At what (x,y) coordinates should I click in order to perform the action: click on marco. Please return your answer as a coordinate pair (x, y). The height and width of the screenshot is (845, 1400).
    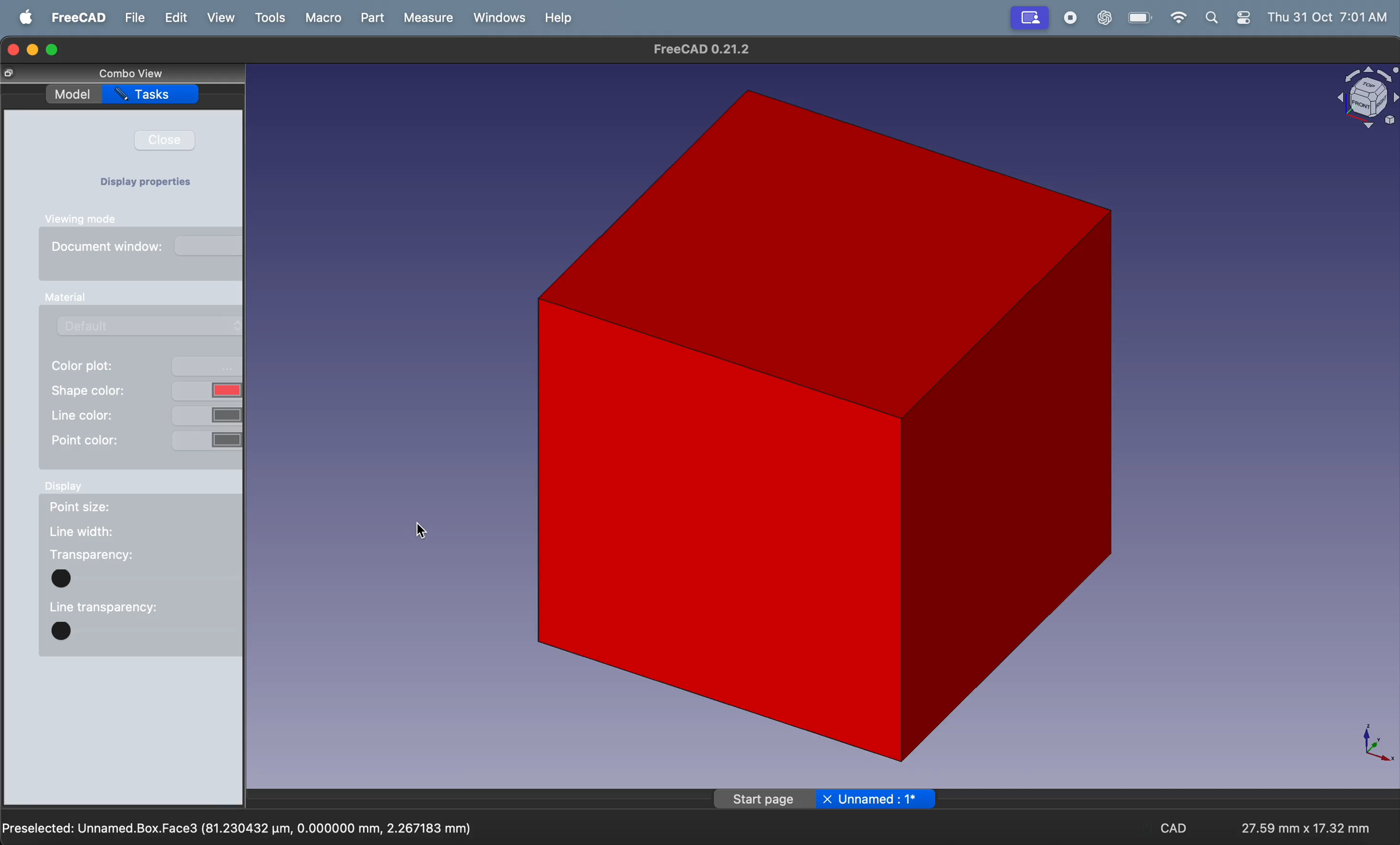
    Looking at the image, I should click on (322, 18).